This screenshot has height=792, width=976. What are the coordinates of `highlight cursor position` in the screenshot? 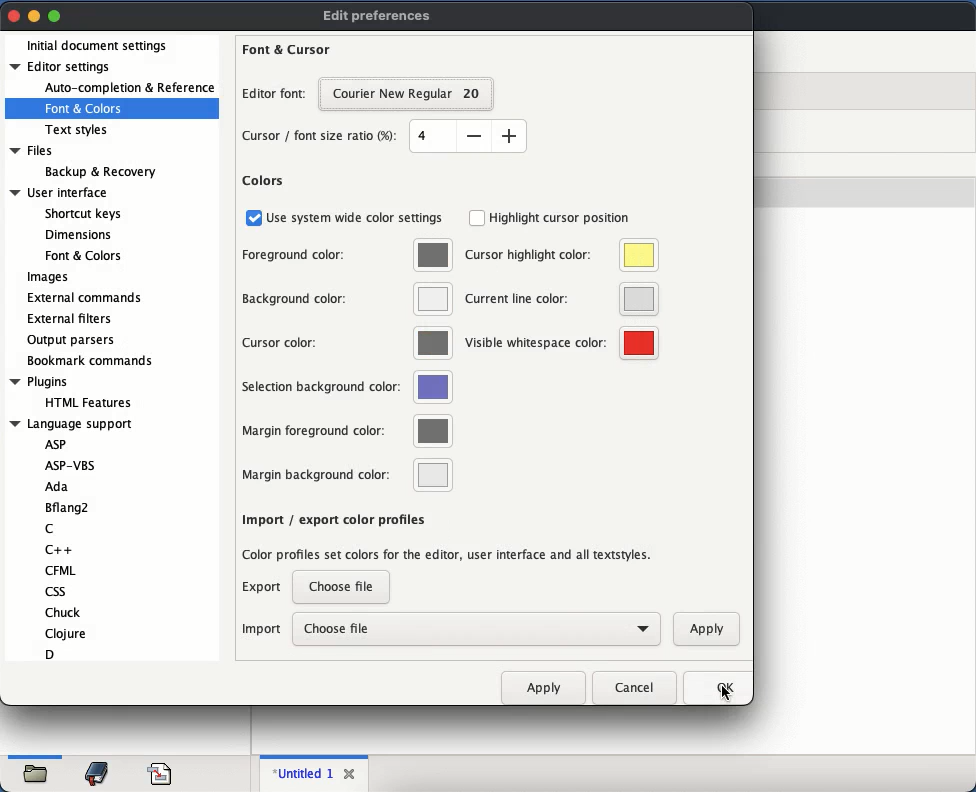 It's located at (561, 218).